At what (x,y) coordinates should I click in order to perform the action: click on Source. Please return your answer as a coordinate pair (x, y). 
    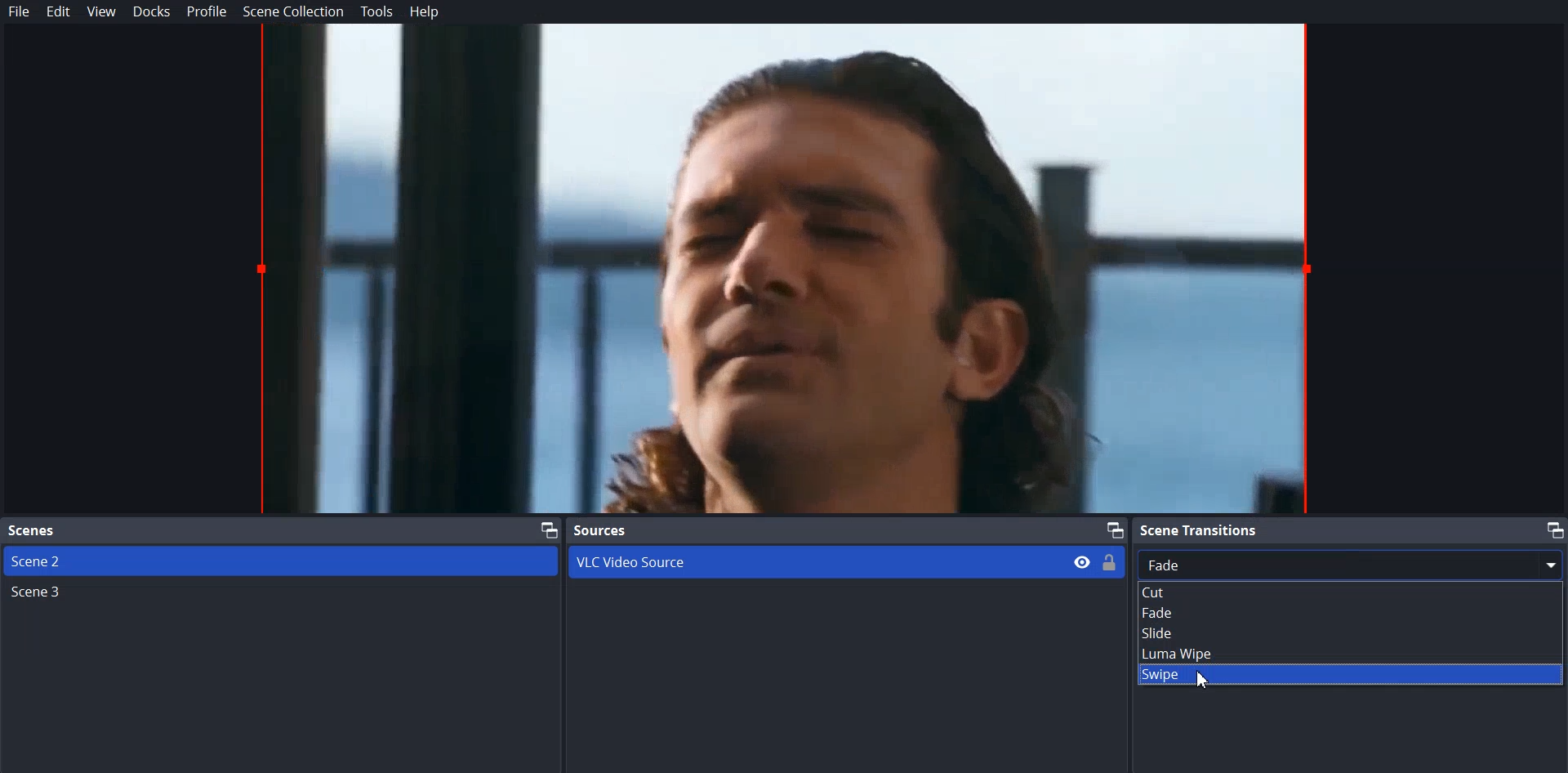
    Looking at the image, I should click on (845, 531).